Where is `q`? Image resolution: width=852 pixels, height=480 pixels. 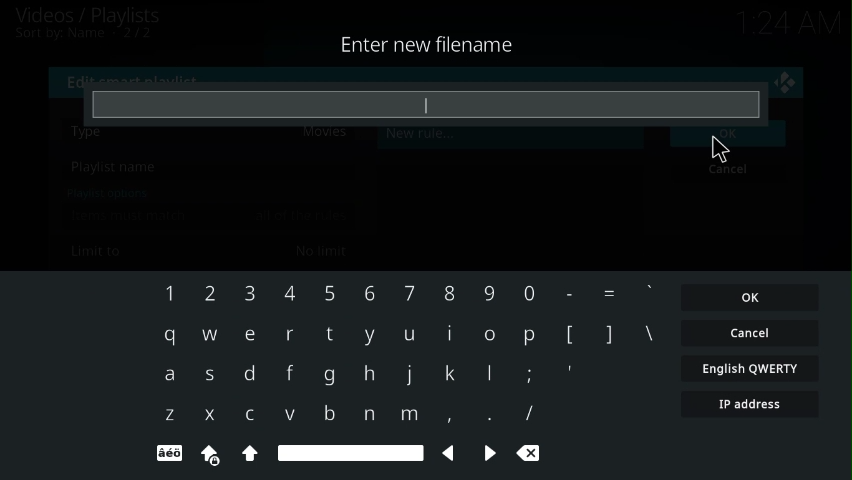 q is located at coordinates (164, 337).